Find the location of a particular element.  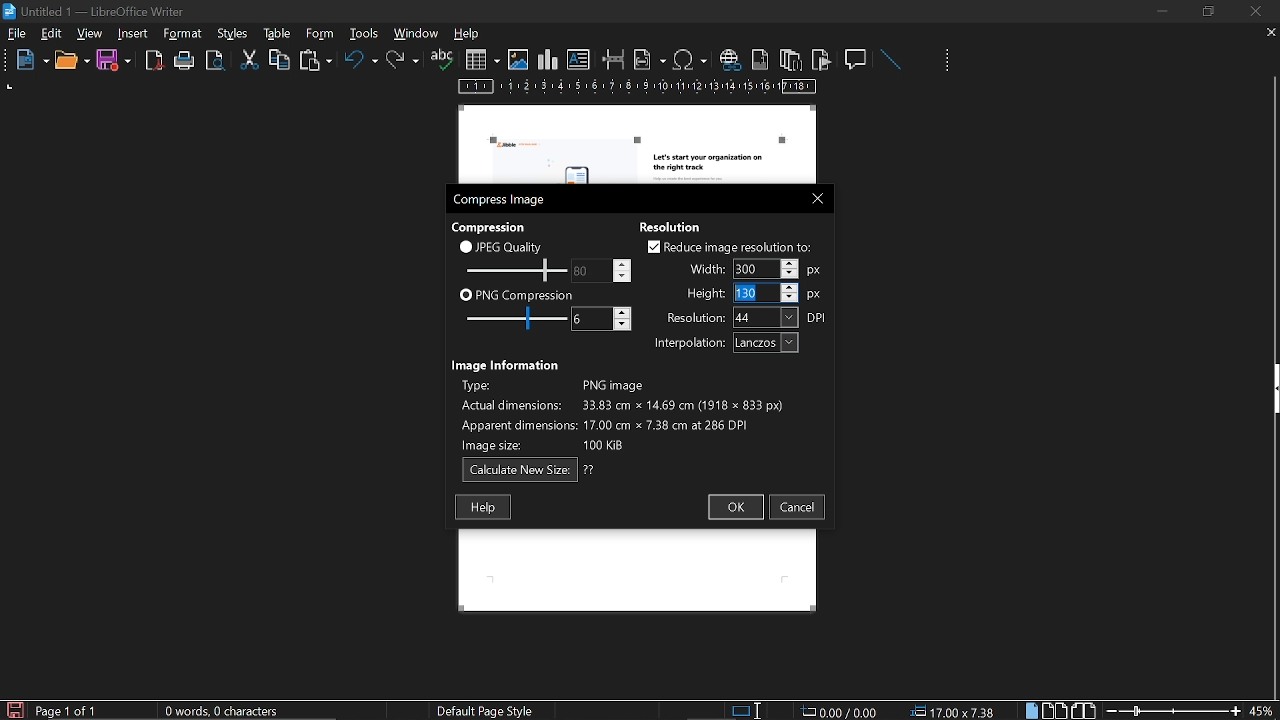

styles is located at coordinates (274, 33).